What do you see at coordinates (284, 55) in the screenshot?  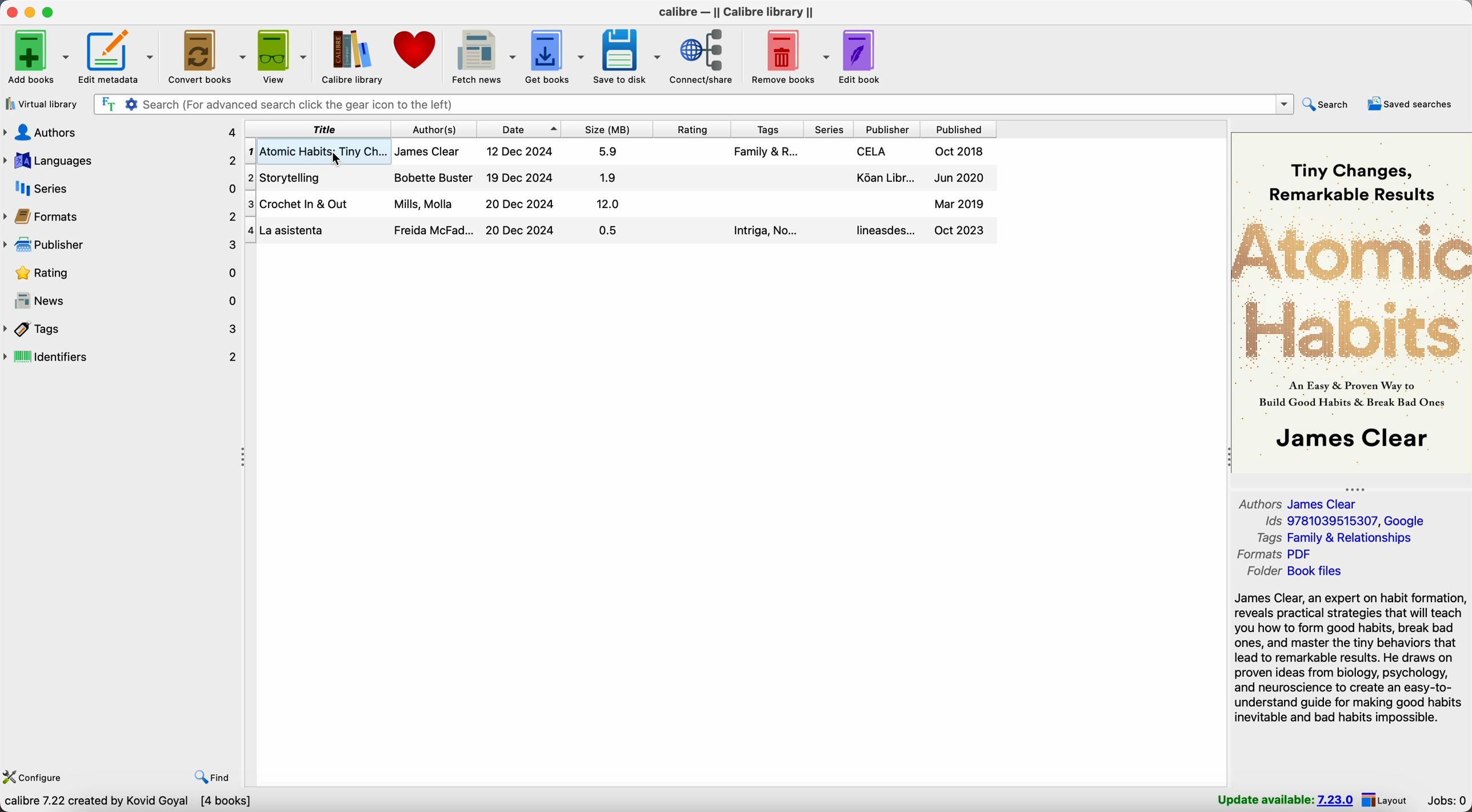 I see `view` at bounding box center [284, 55].